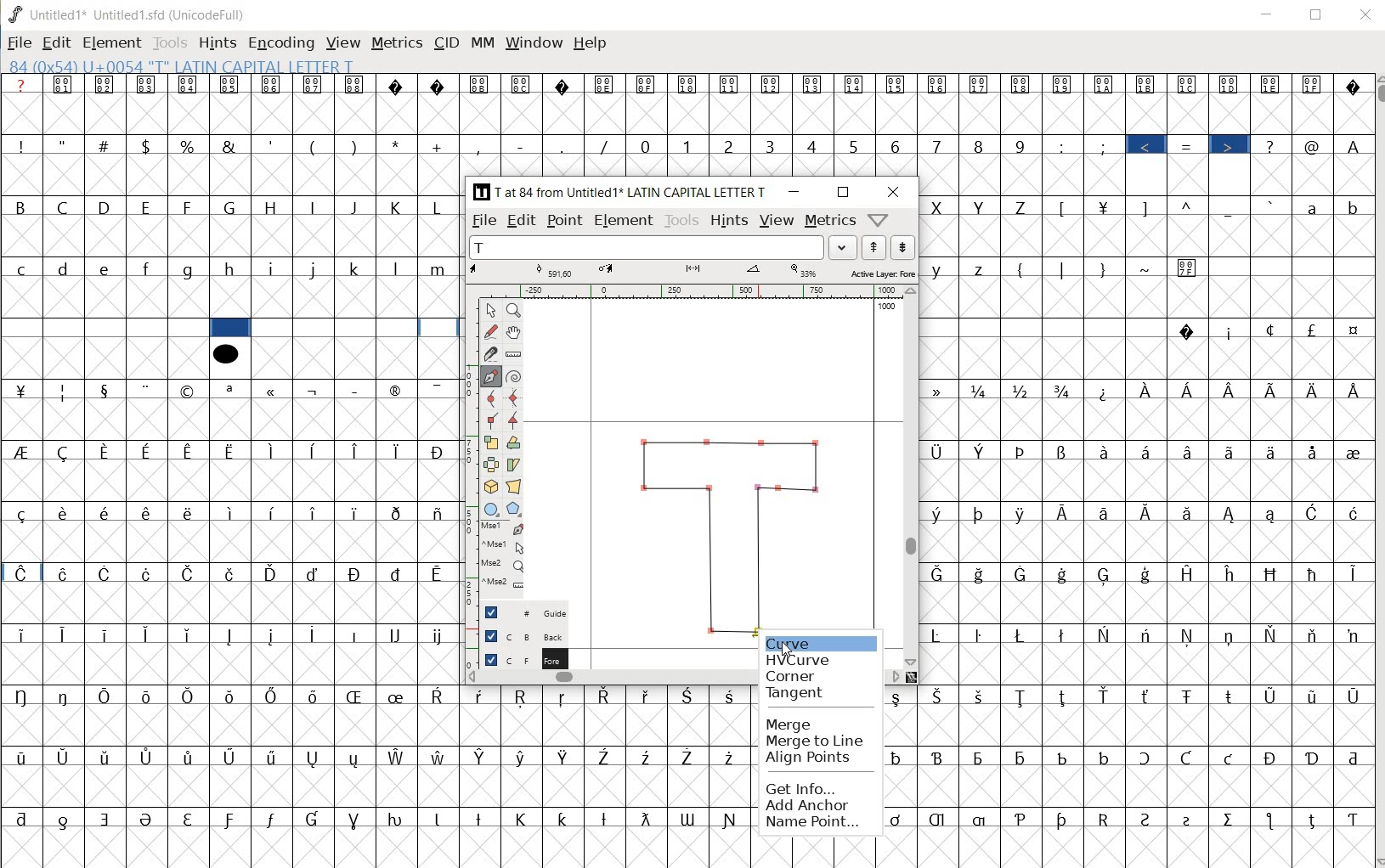 The width and height of the screenshot is (1385, 868). Describe the element at coordinates (233, 637) in the screenshot. I see `Symbol` at that location.